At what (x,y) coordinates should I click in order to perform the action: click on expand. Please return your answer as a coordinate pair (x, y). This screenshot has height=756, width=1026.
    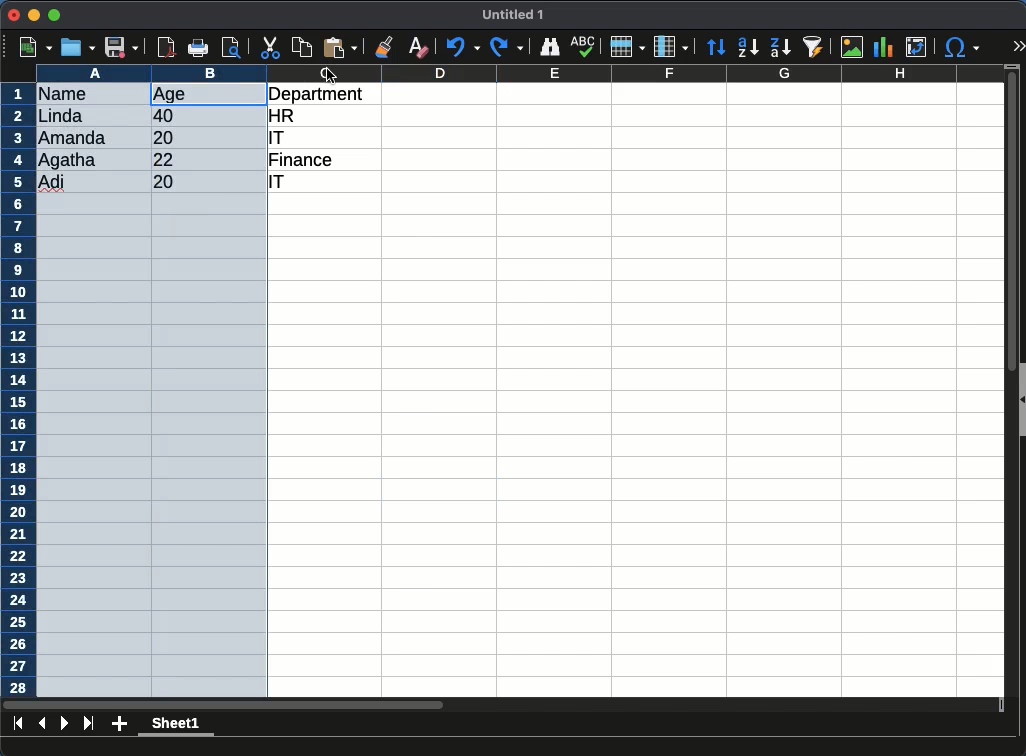
    Looking at the image, I should click on (1018, 48).